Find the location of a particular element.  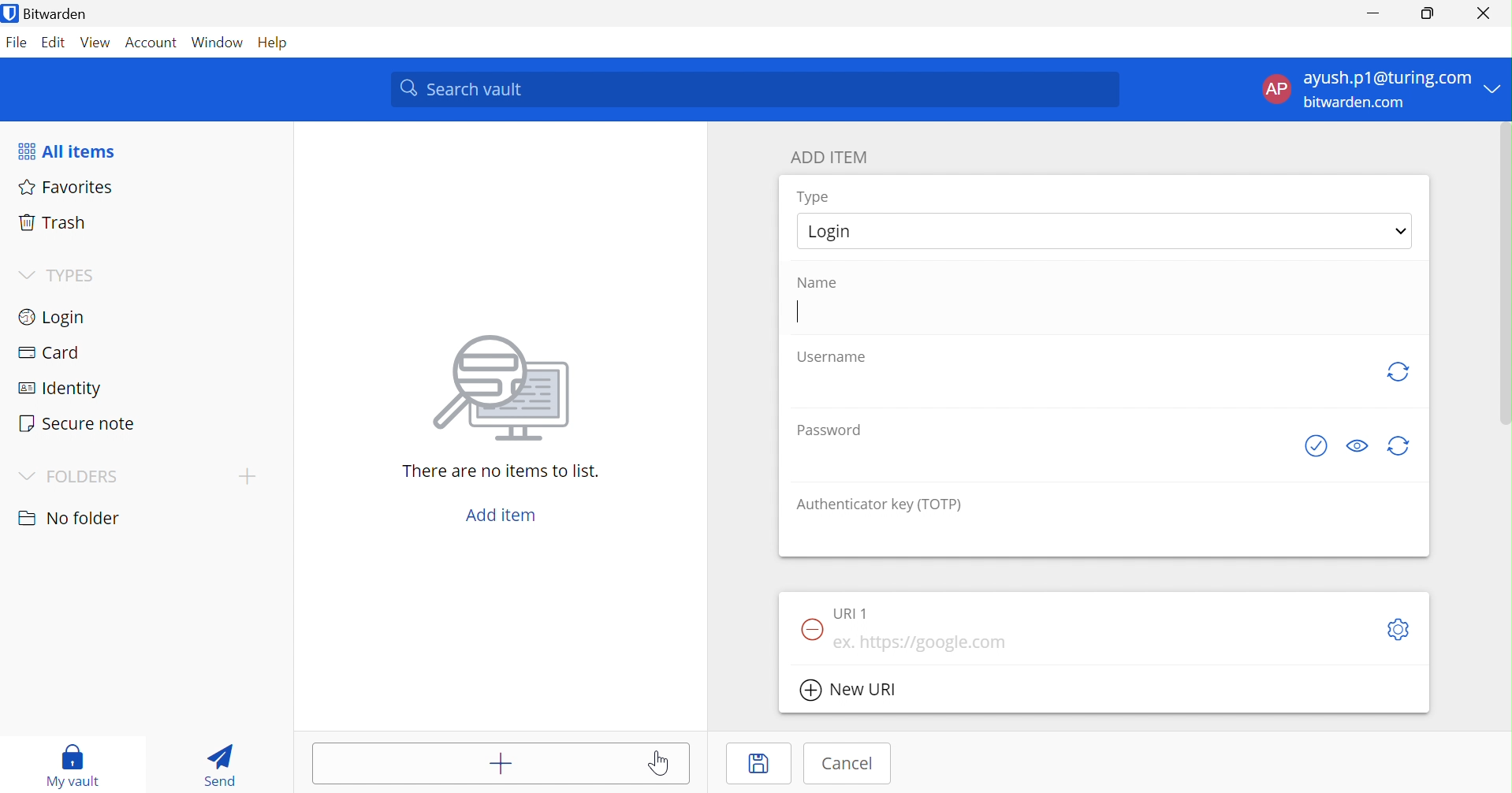

Drop Down is located at coordinates (1496, 87).